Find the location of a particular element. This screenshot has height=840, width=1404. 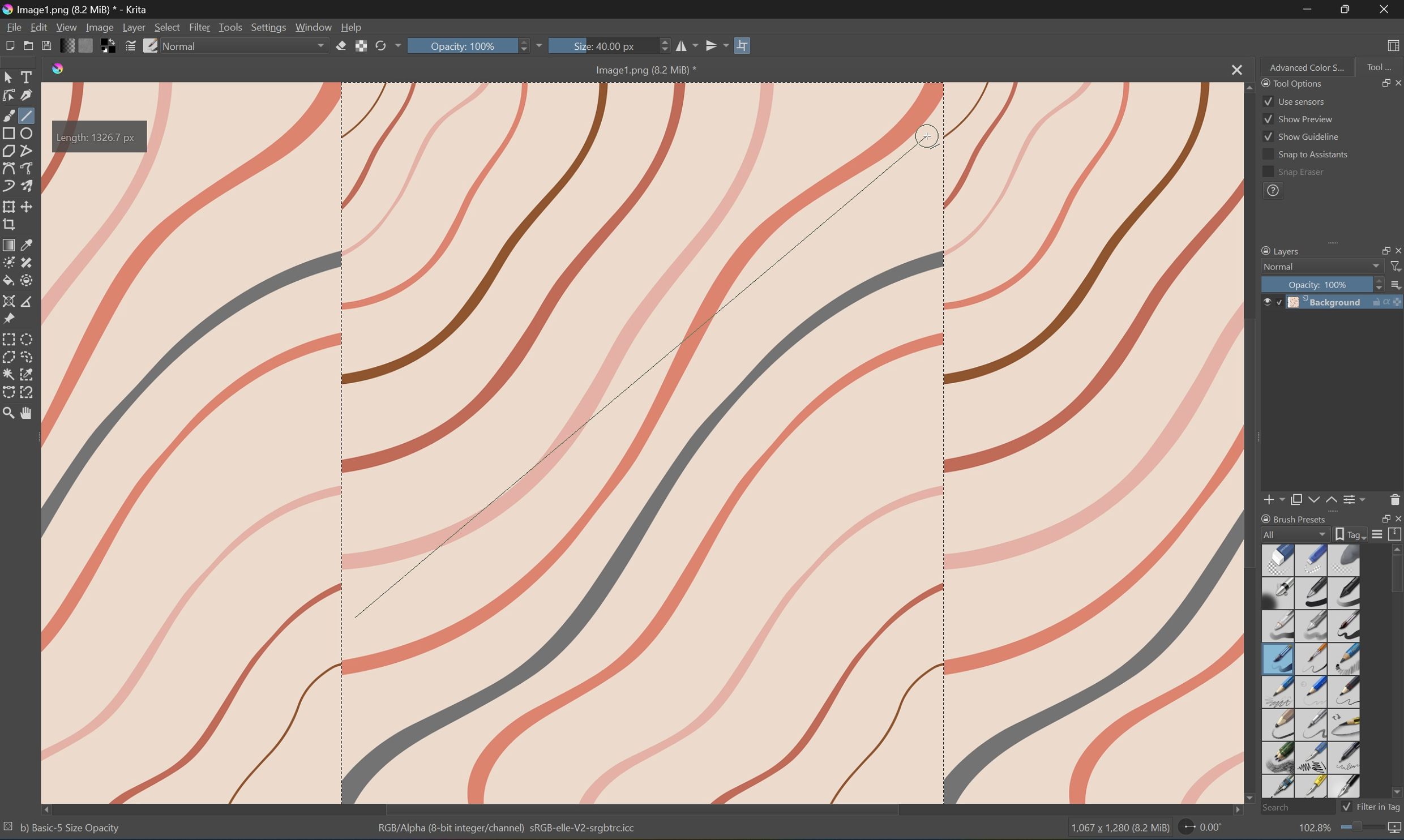

Drop Down is located at coordinates (322, 46).